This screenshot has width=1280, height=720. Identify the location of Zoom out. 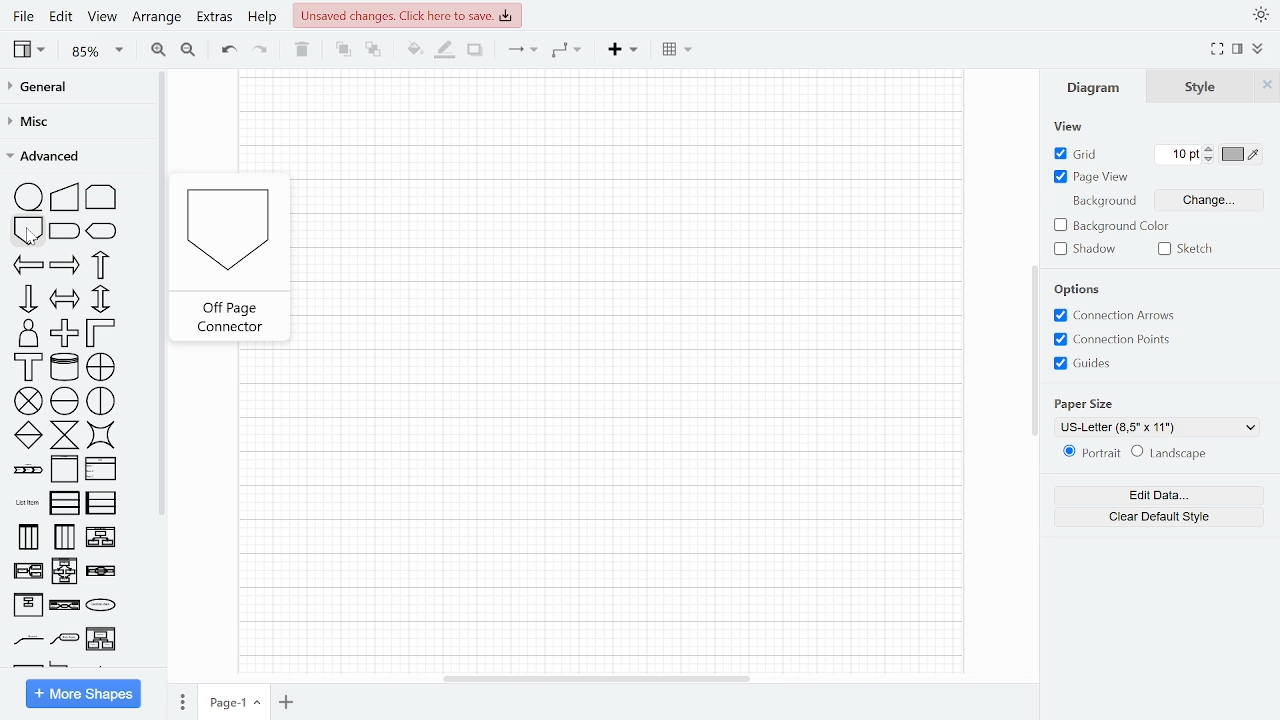
(187, 50).